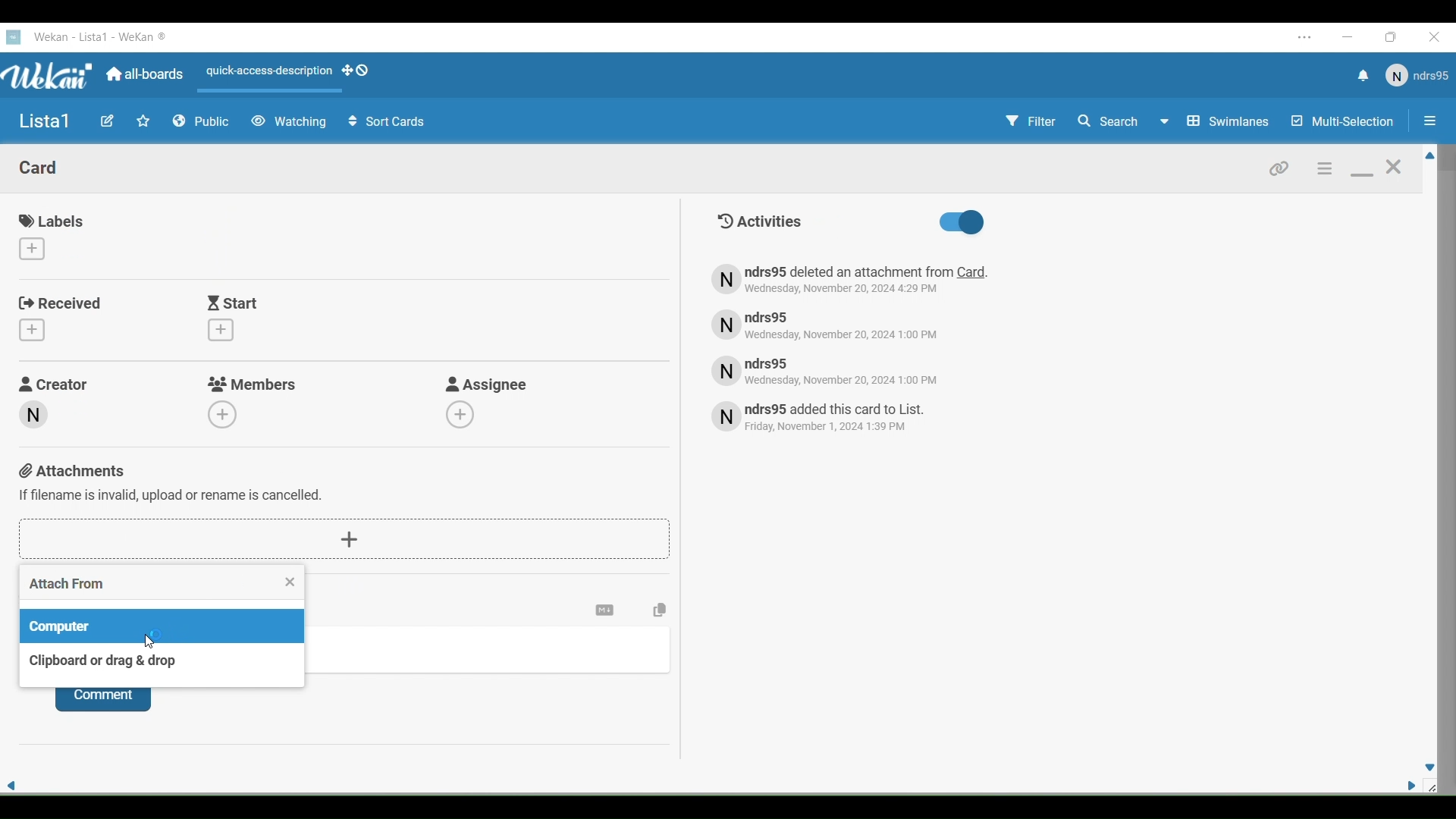  Describe the element at coordinates (223, 413) in the screenshot. I see `Add members` at that location.